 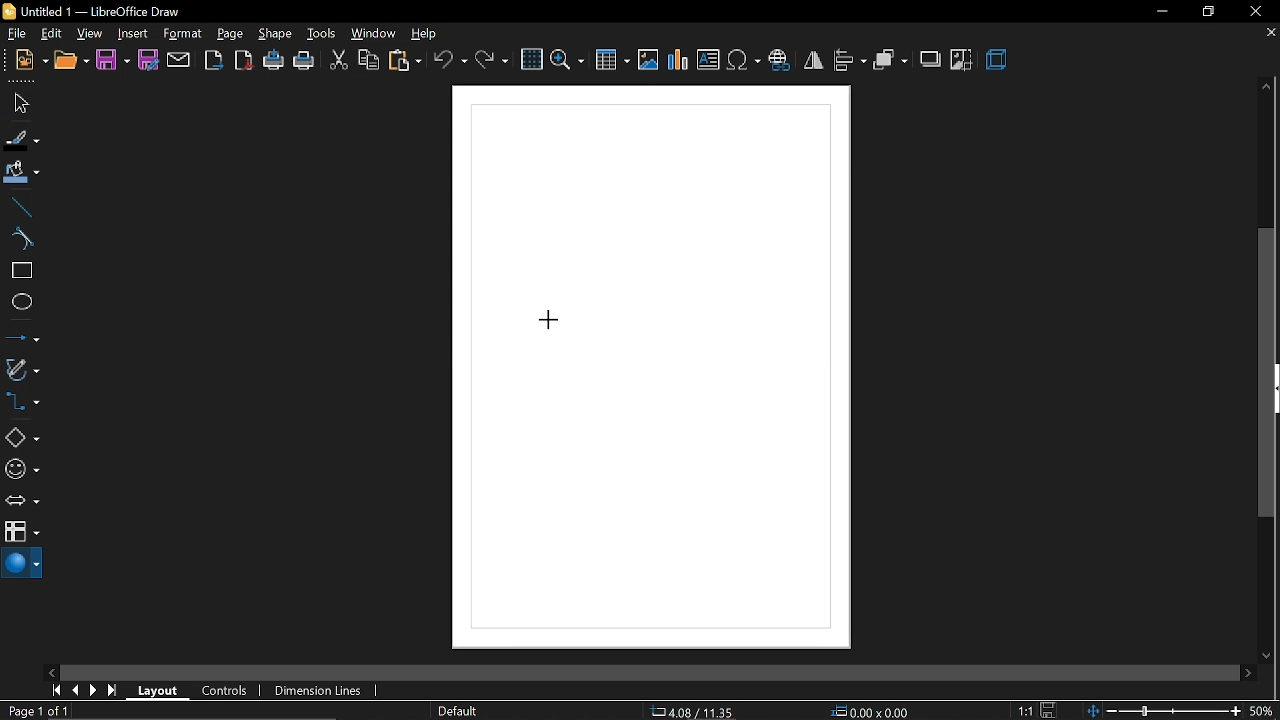 I want to click on move up, so click(x=1268, y=86).